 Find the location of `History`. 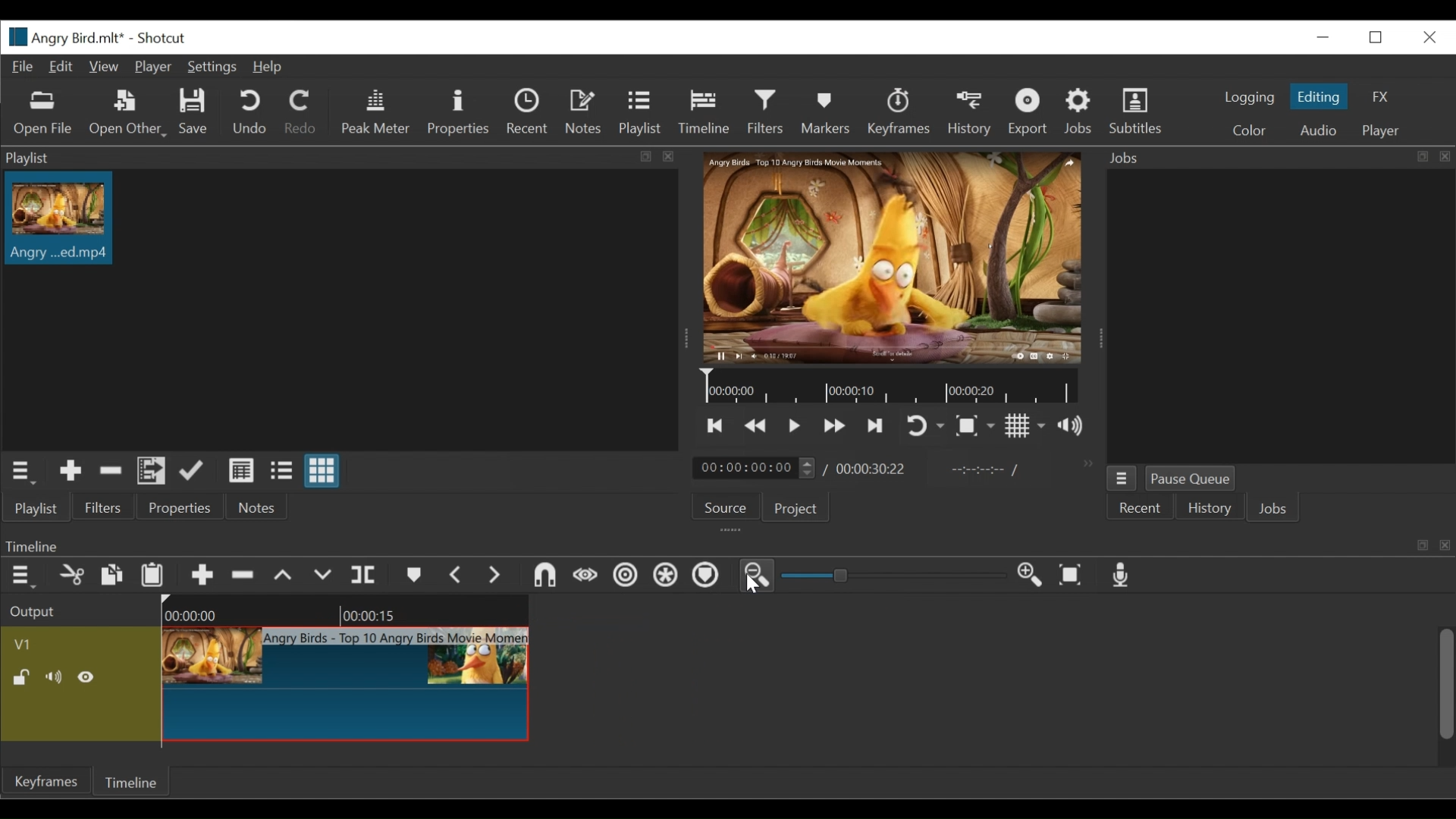

History is located at coordinates (1210, 510).